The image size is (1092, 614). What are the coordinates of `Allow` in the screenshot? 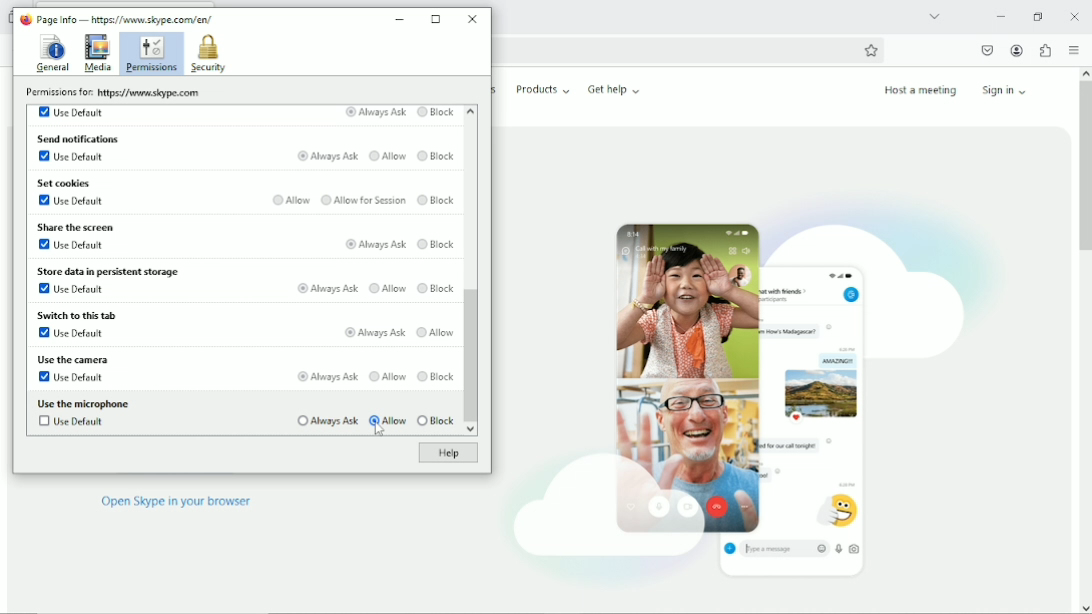 It's located at (386, 375).